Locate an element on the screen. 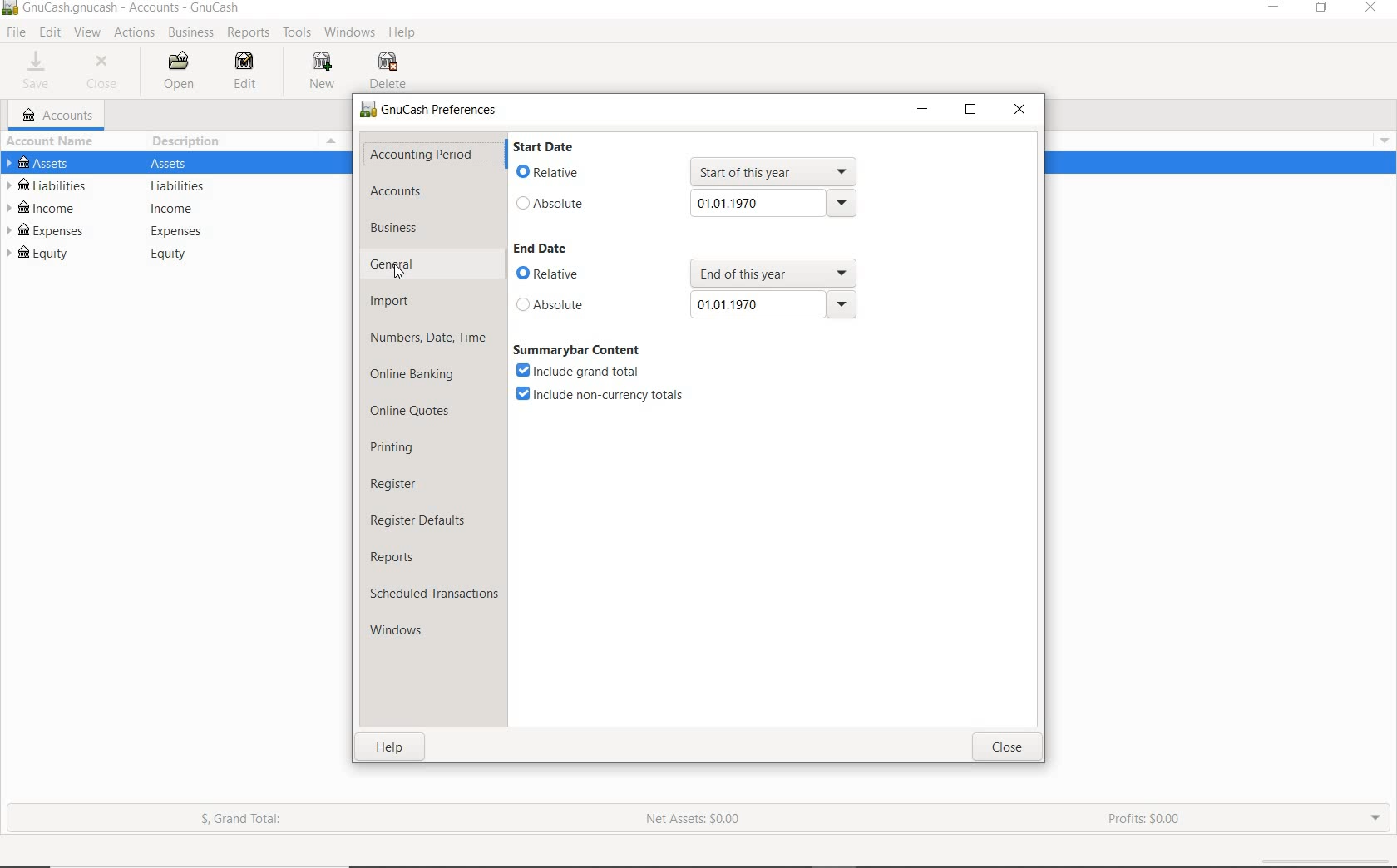  ACCOUNTS is located at coordinates (62, 114).